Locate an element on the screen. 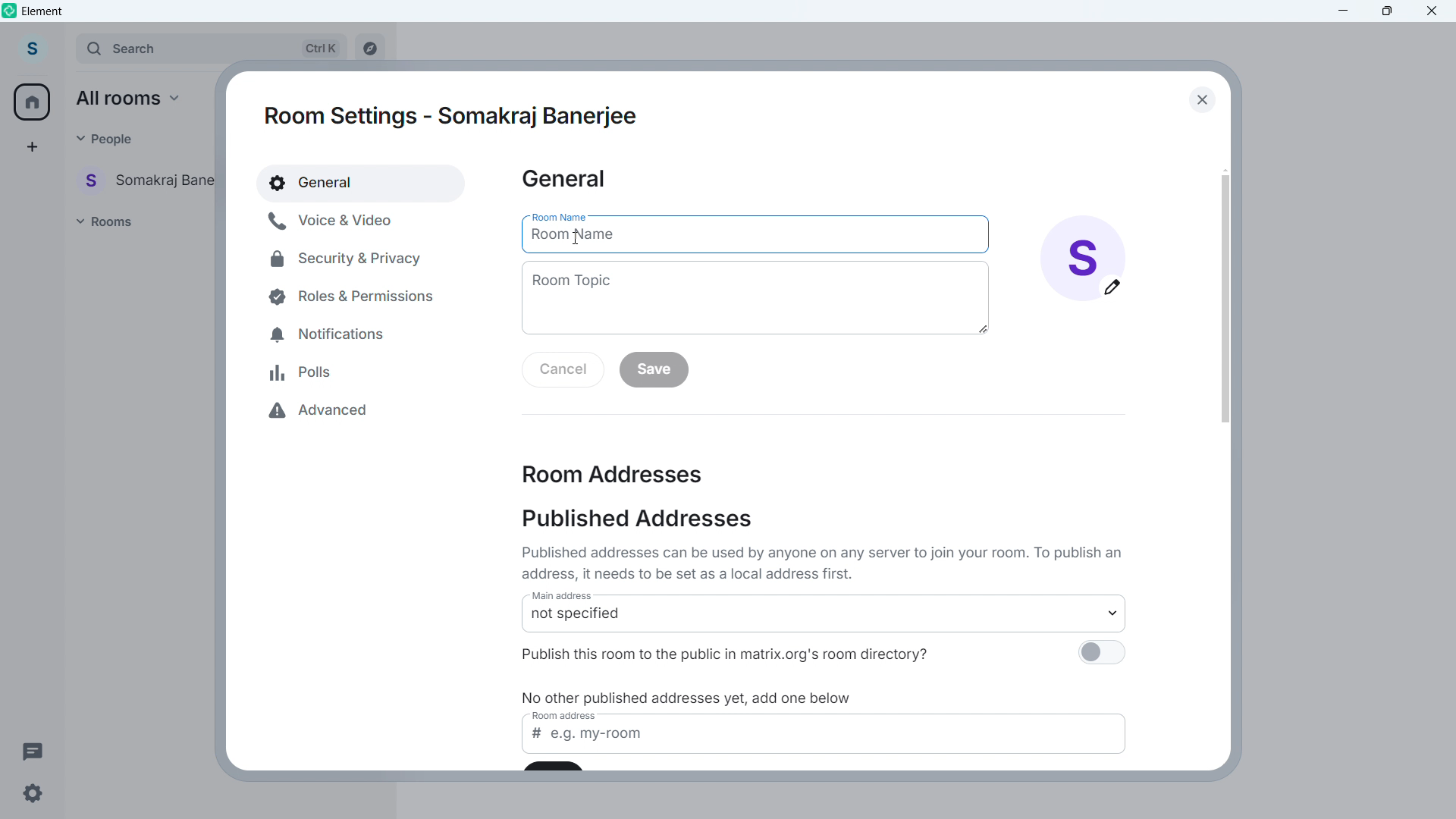 The height and width of the screenshot is (819, 1456). publish this room to the public in matrix.org's room directory? is located at coordinates (748, 653).